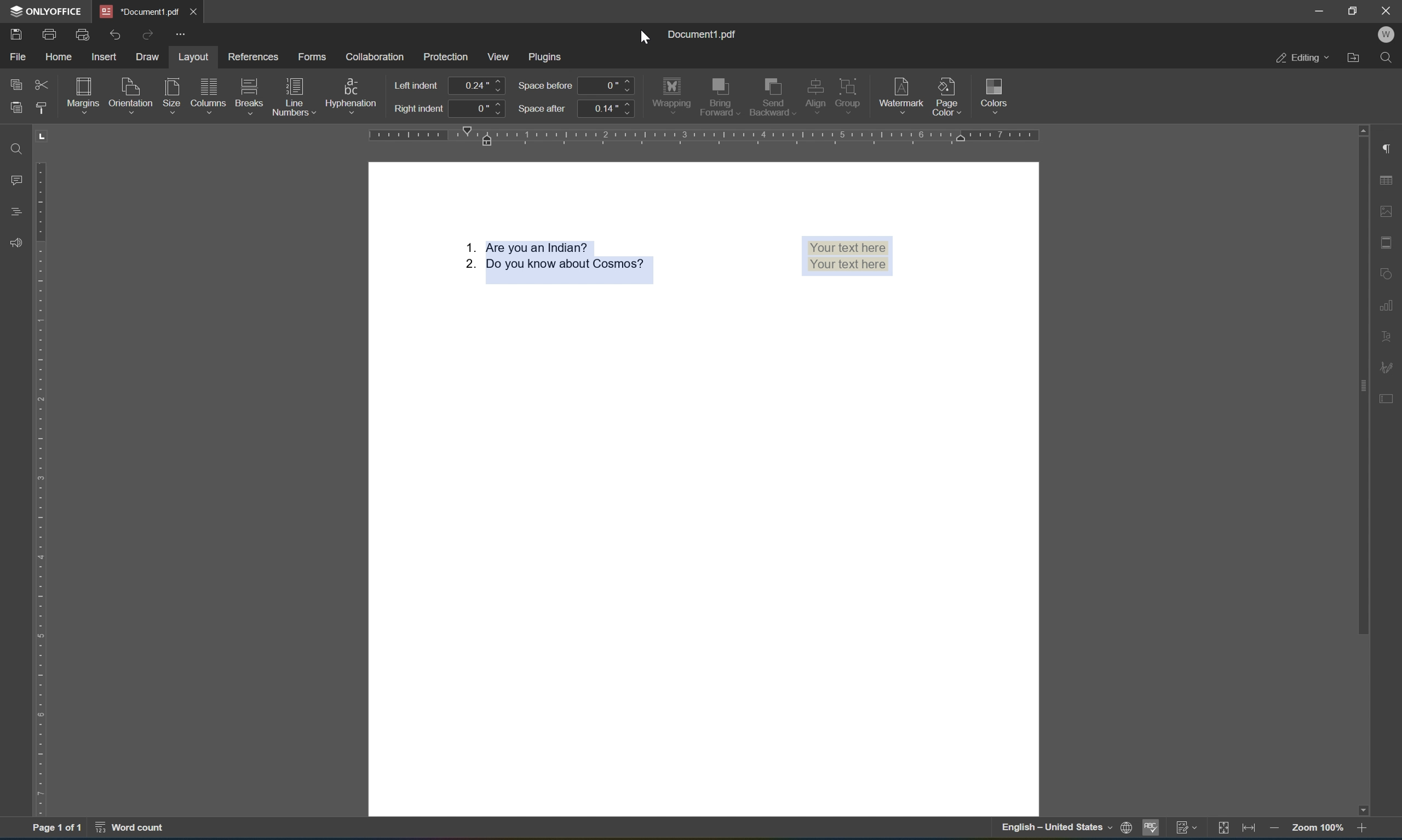  Describe the element at coordinates (721, 97) in the screenshot. I see `send forward` at that location.